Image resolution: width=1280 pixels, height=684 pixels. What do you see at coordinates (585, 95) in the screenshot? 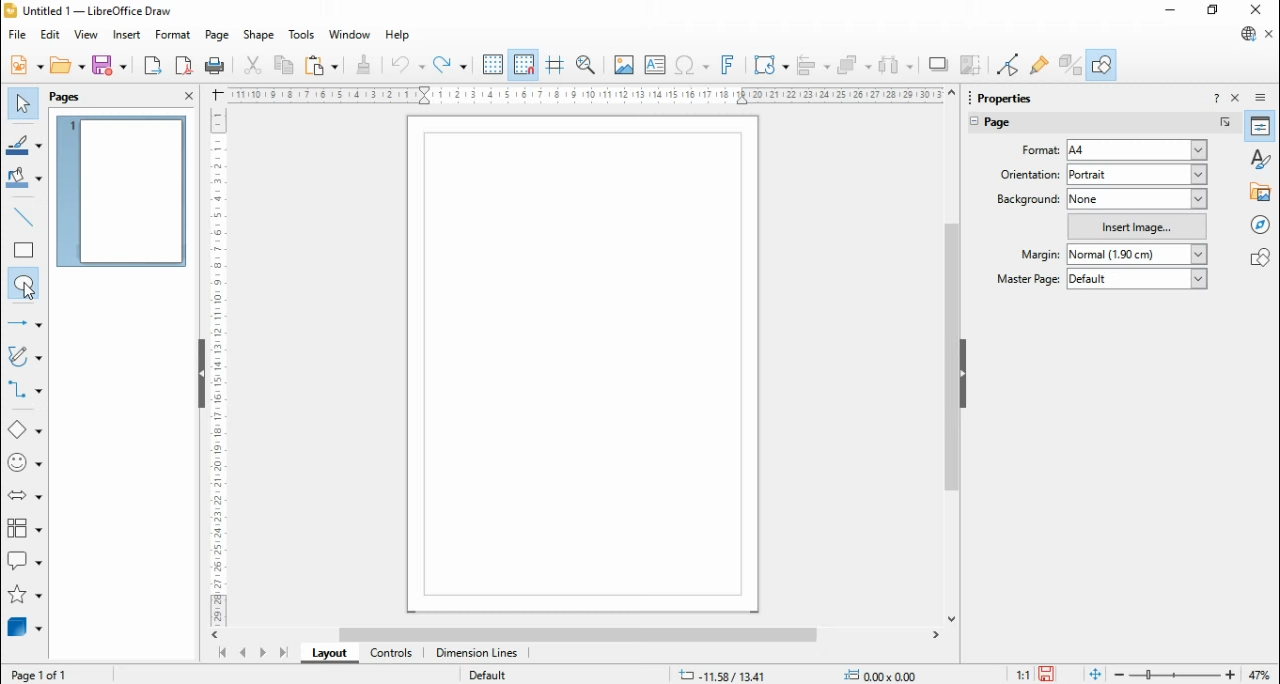
I see `Scale` at bounding box center [585, 95].